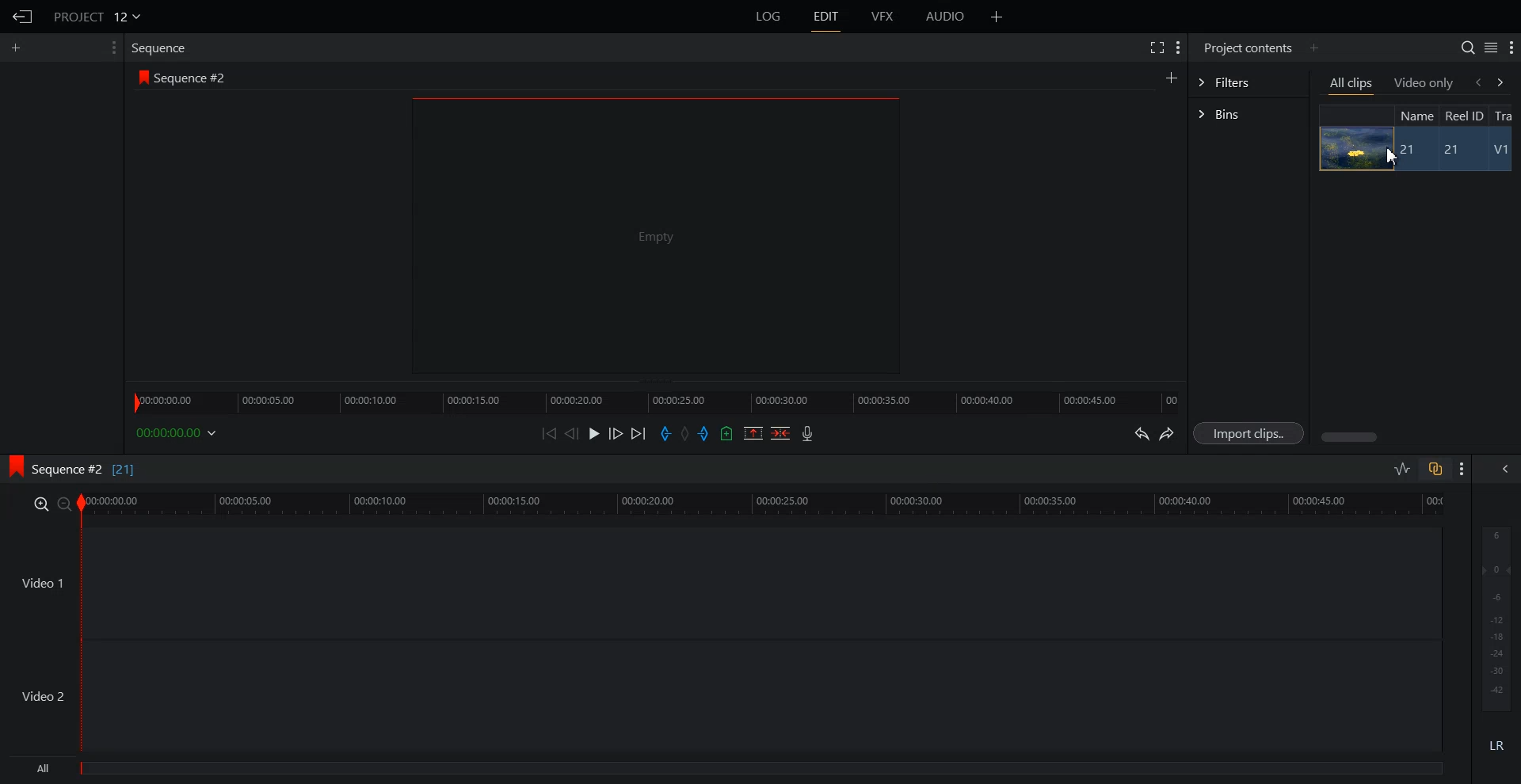  What do you see at coordinates (1252, 434) in the screenshot?
I see `Import clips` at bounding box center [1252, 434].